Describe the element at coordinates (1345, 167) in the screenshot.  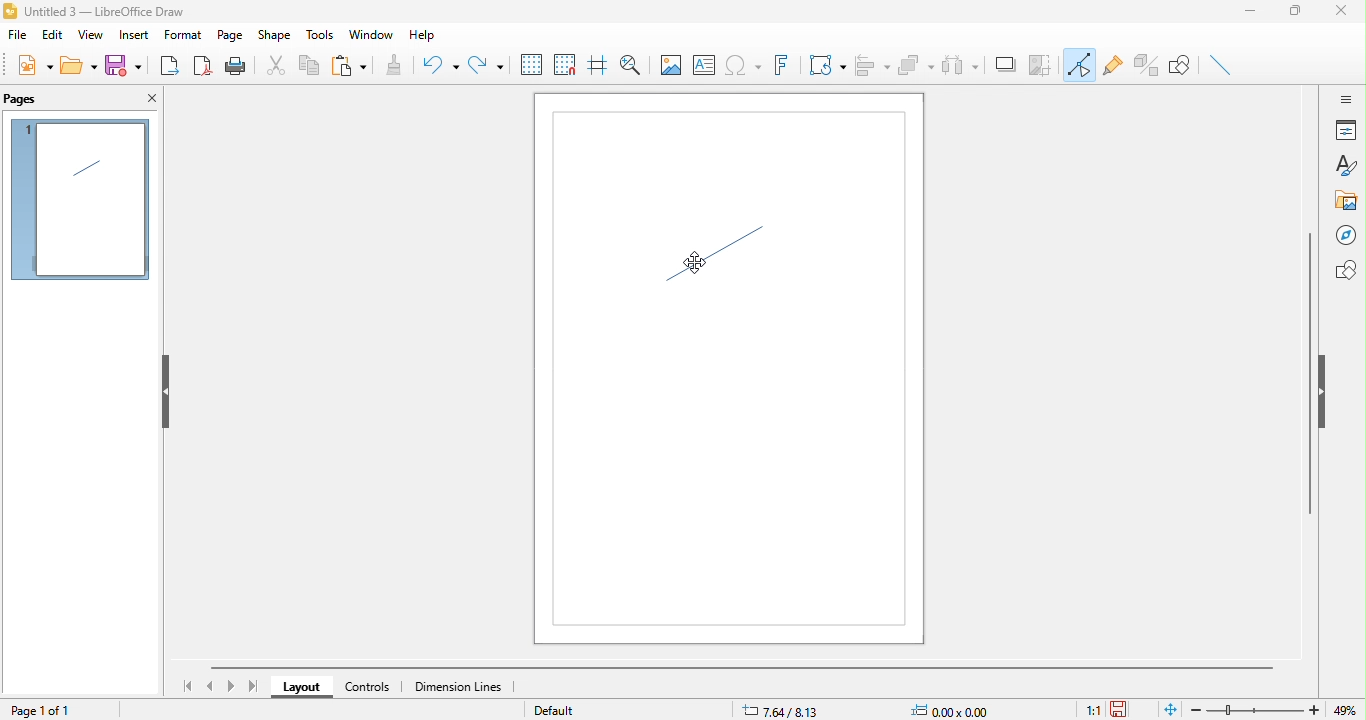
I see `styles` at that location.